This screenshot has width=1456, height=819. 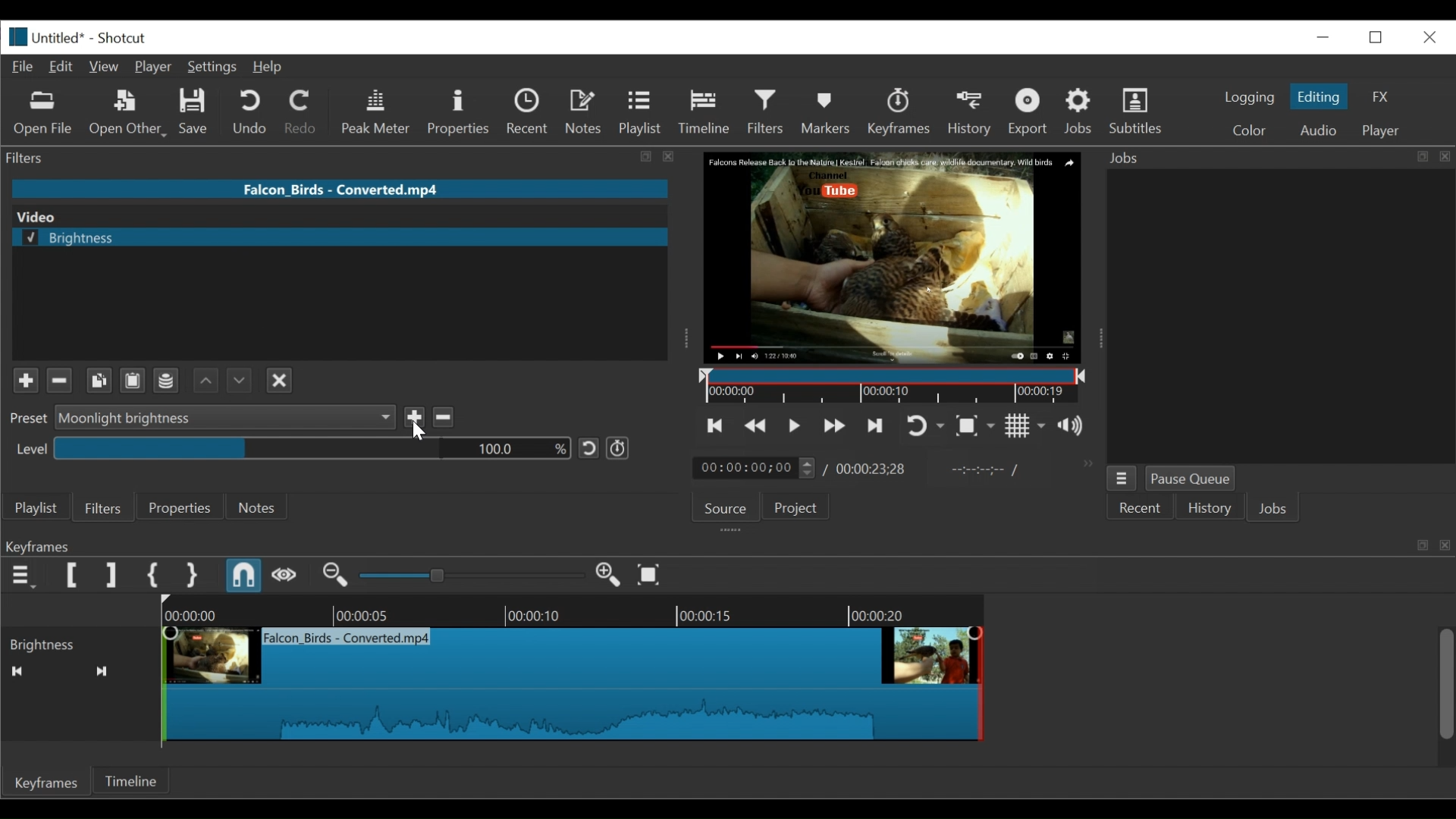 What do you see at coordinates (716, 425) in the screenshot?
I see `Skip to the previous point` at bounding box center [716, 425].